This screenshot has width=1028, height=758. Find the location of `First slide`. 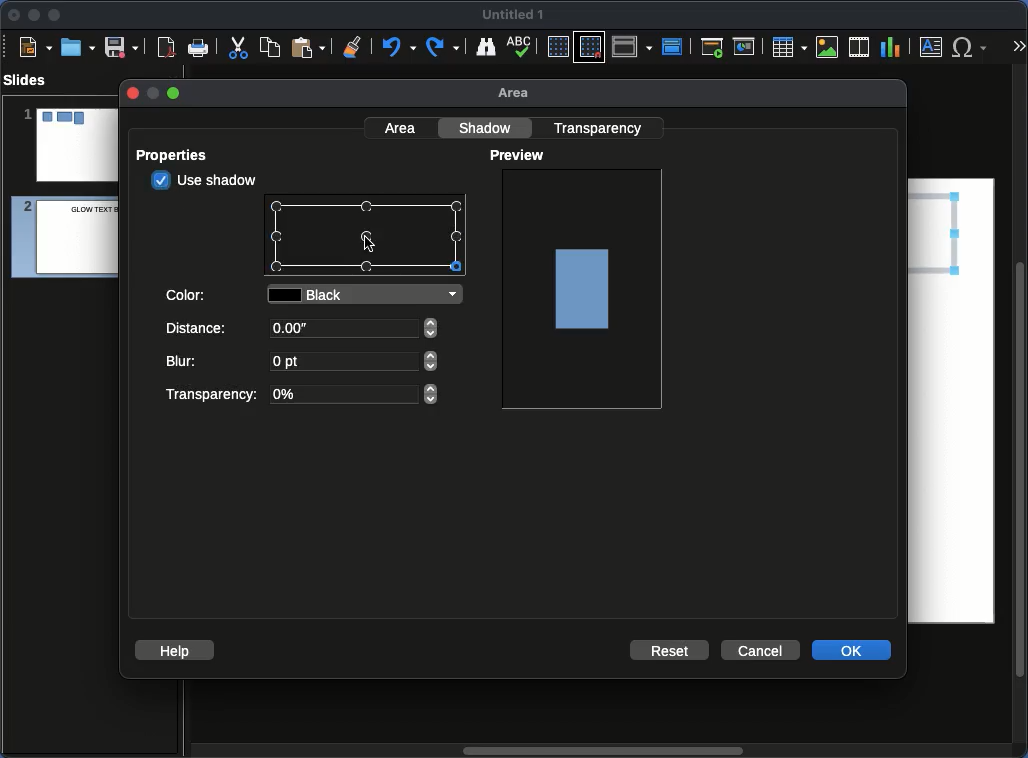

First slide is located at coordinates (712, 47).